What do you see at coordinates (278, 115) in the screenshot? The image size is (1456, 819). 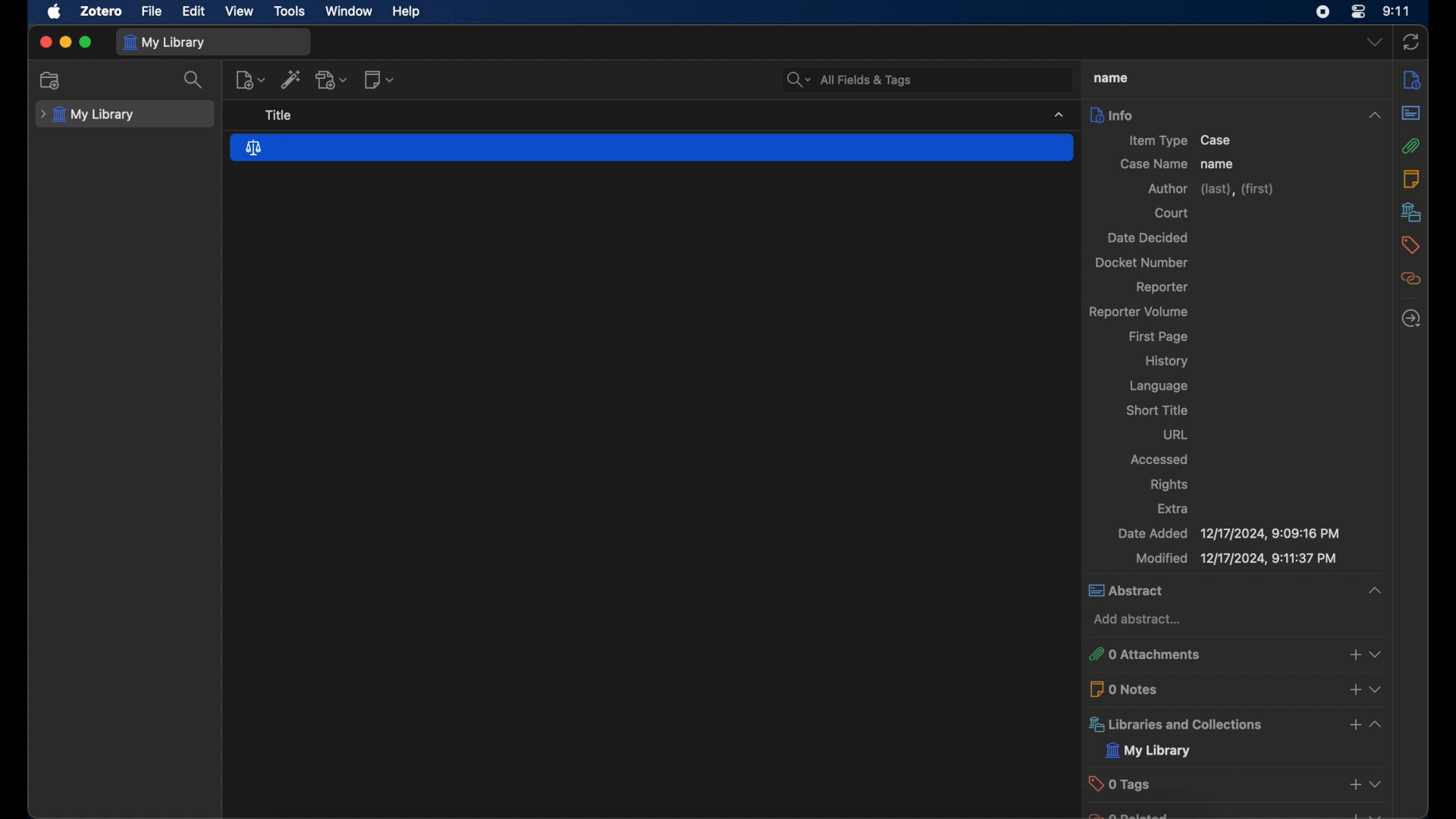 I see `title` at bounding box center [278, 115].